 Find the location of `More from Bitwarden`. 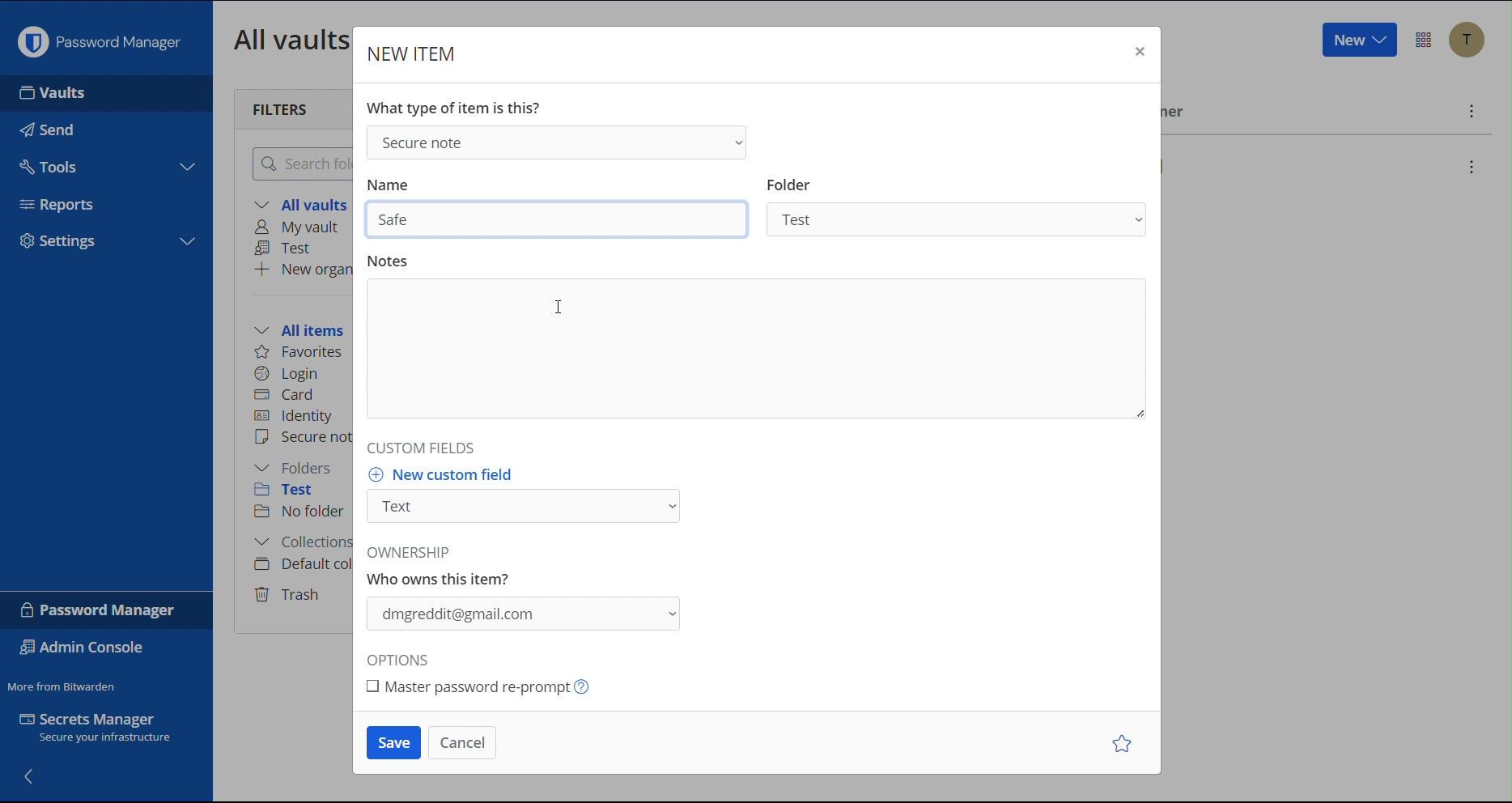

More from Bitwarden is located at coordinates (64, 683).